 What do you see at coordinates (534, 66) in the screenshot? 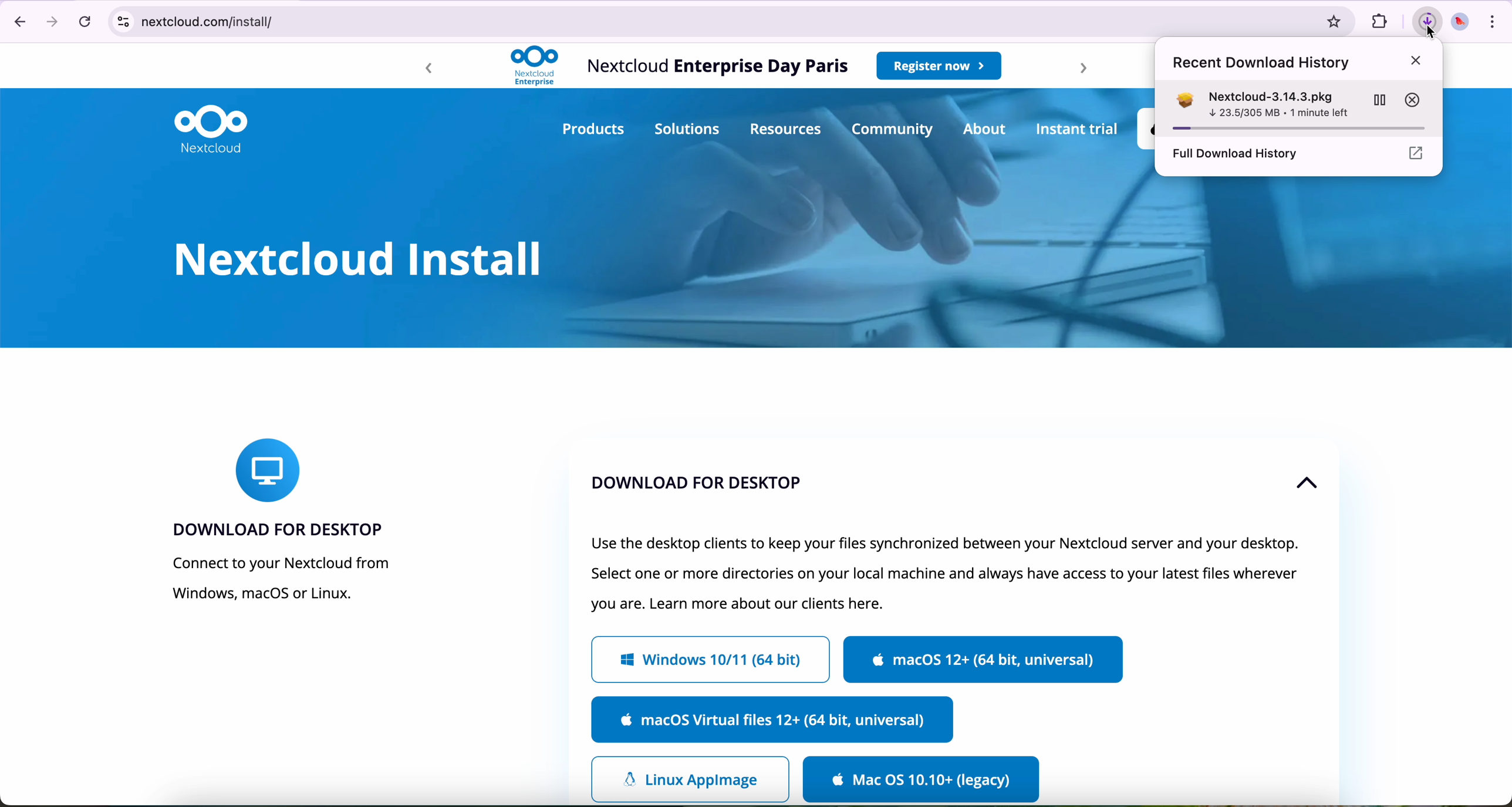
I see `Nextcloud logo` at bounding box center [534, 66].